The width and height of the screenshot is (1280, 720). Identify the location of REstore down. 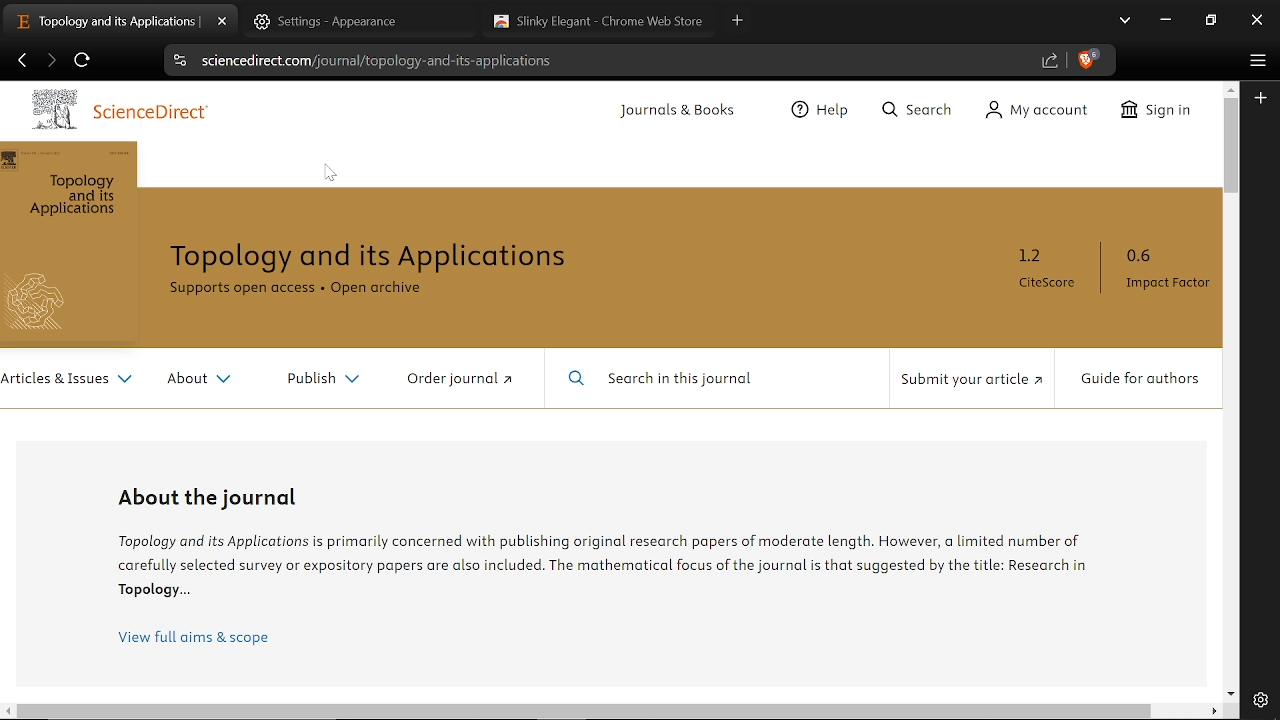
(1213, 21).